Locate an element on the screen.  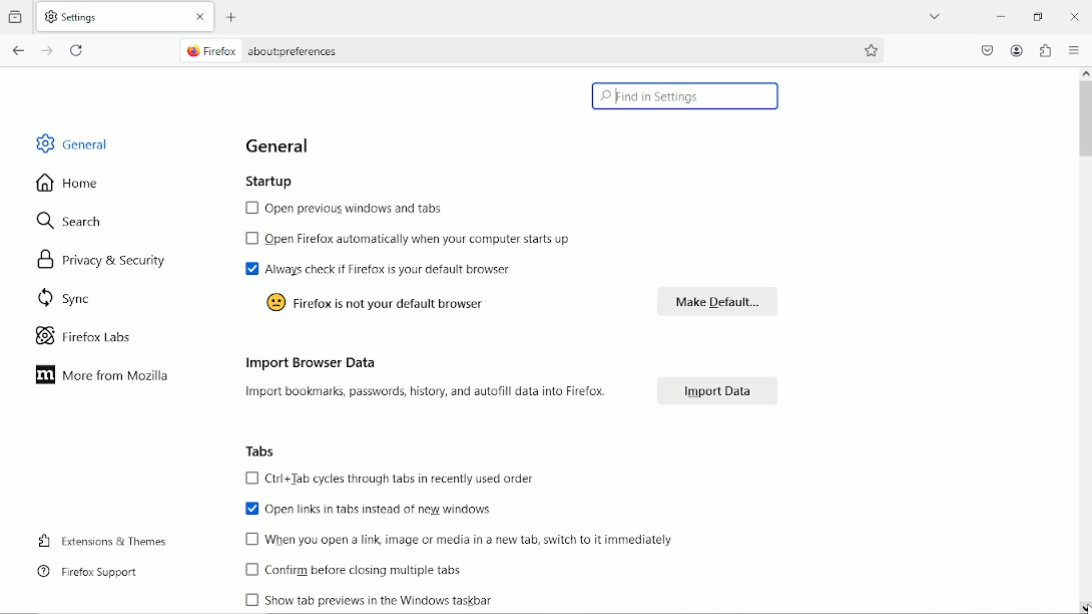
bookmark this page is located at coordinates (872, 48).